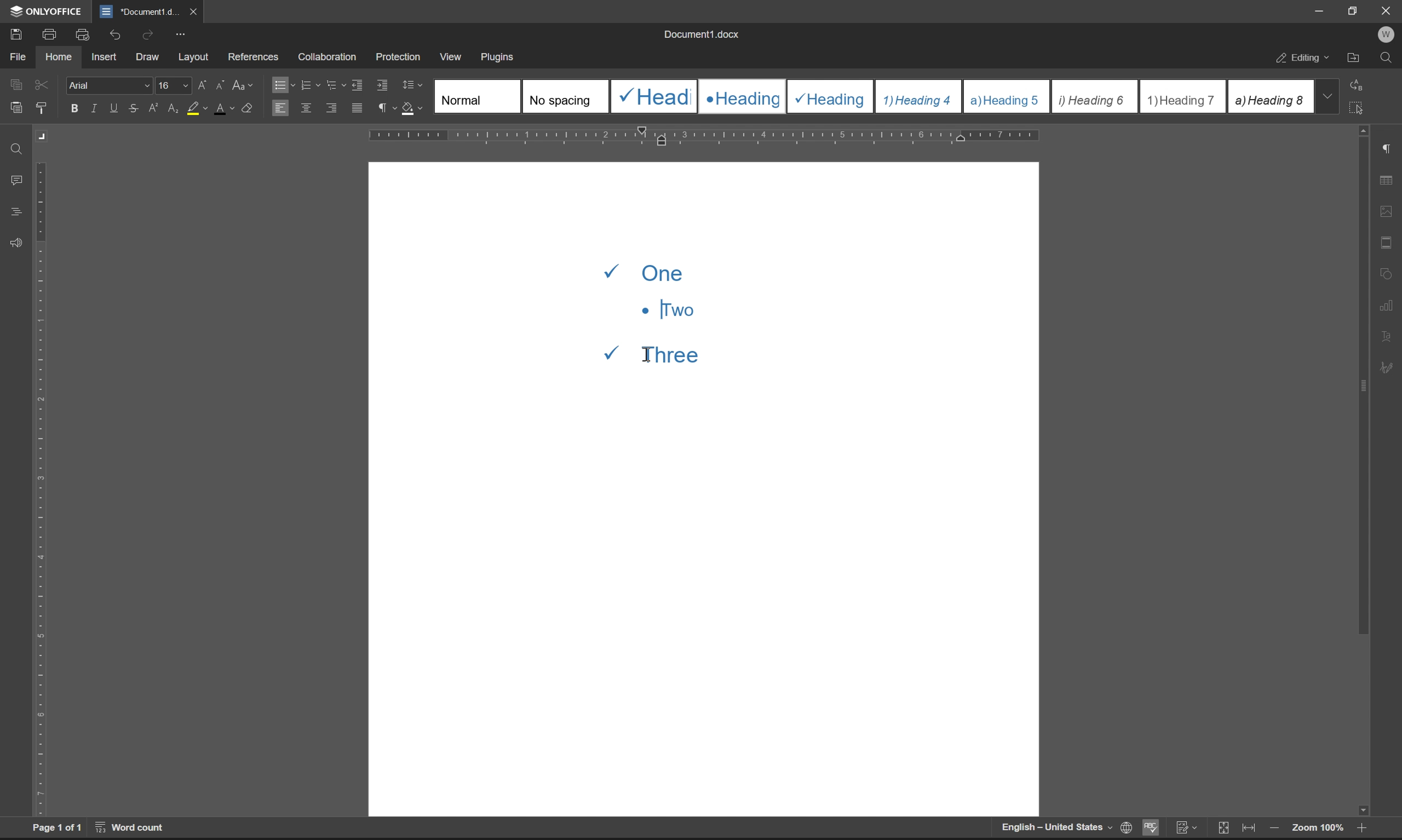 This screenshot has height=840, width=1402. Describe the element at coordinates (1150, 827) in the screenshot. I see `spell checking` at that location.